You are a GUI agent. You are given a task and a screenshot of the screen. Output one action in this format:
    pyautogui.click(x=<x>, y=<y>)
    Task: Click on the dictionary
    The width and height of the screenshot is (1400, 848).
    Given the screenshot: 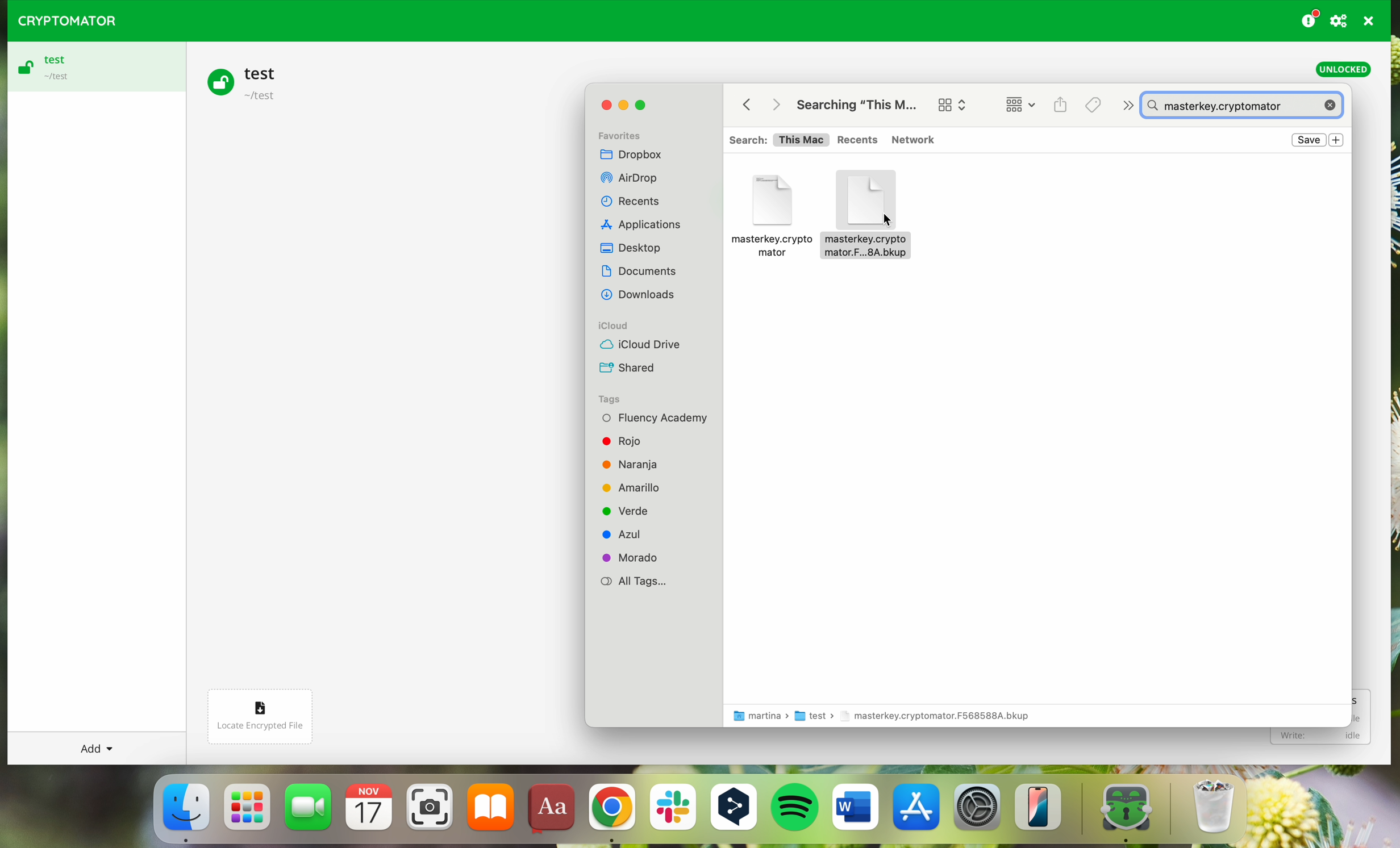 What is the action you would take?
    pyautogui.click(x=552, y=809)
    